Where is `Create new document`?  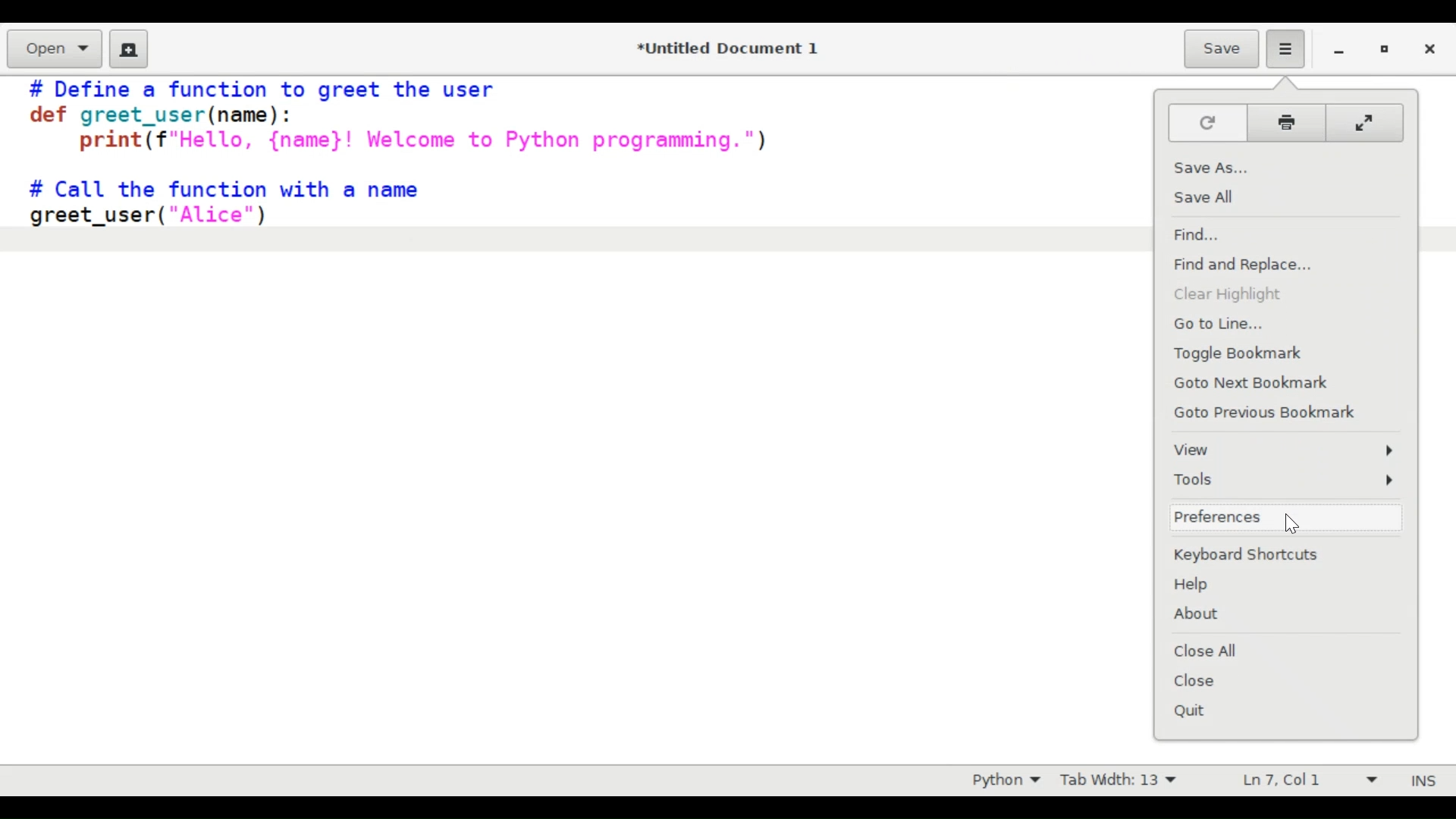
Create new document is located at coordinates (128, 49).